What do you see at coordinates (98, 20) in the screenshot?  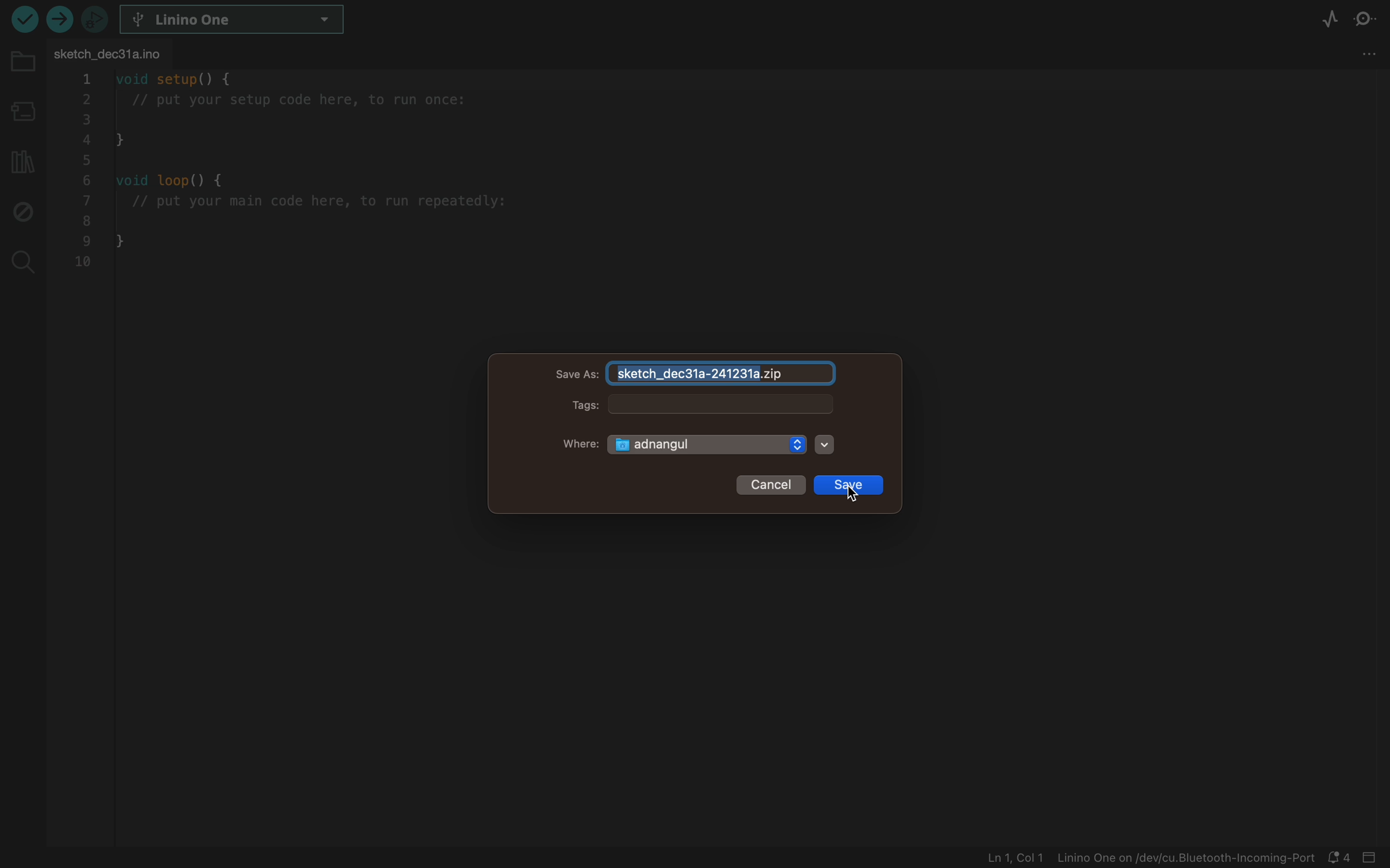 I see `debugger` at bounding box center [98, 20].